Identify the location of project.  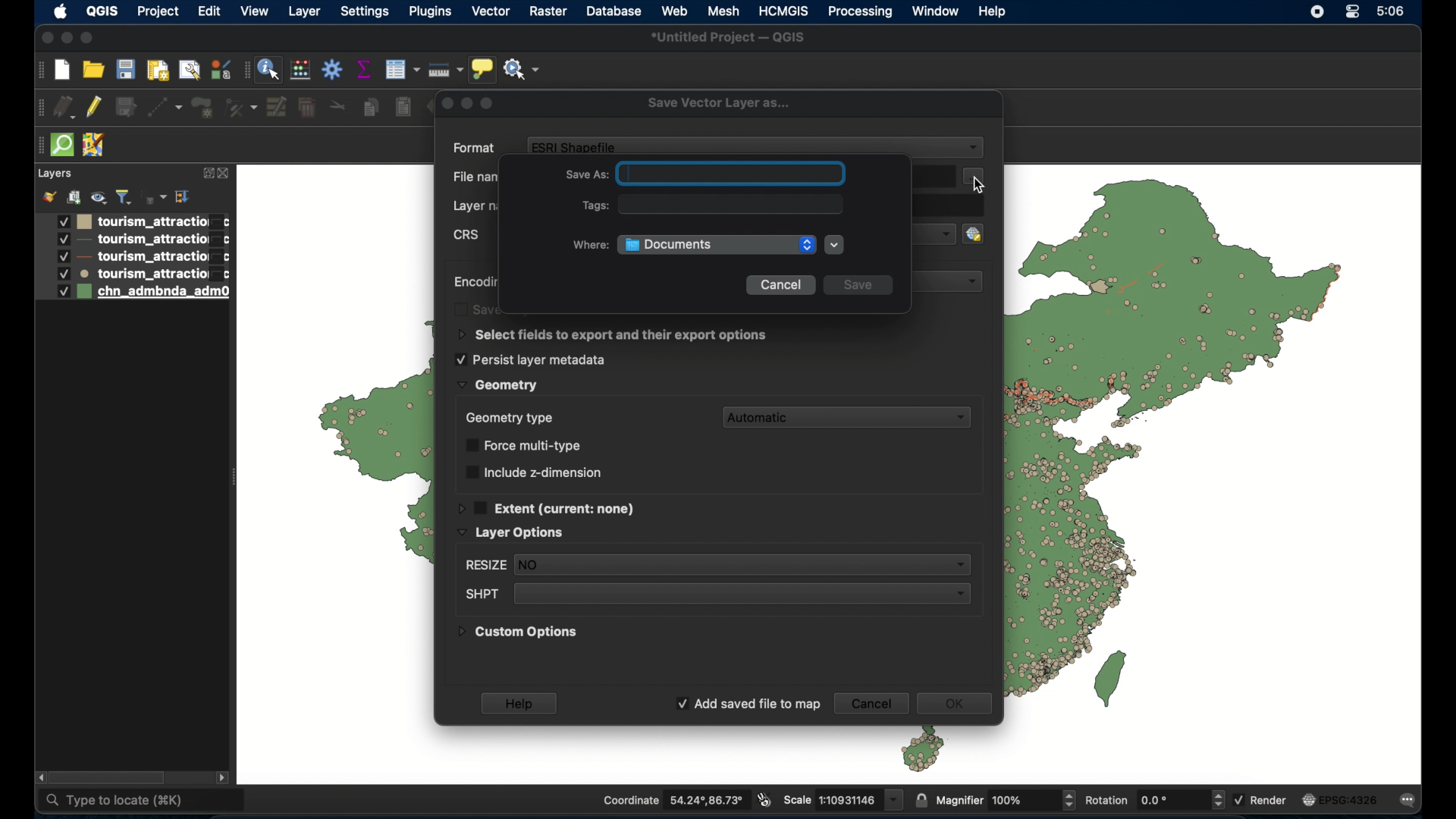
(155, 11).